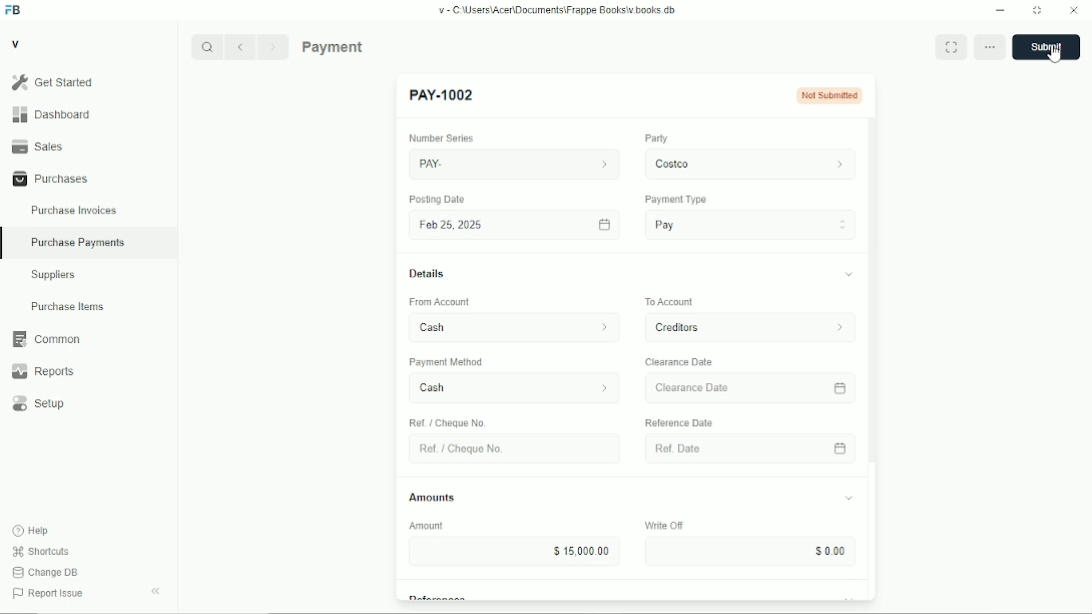  Describe the element at coordinates (88, 114) in the screenshot. I see `Dashboard` at that location.